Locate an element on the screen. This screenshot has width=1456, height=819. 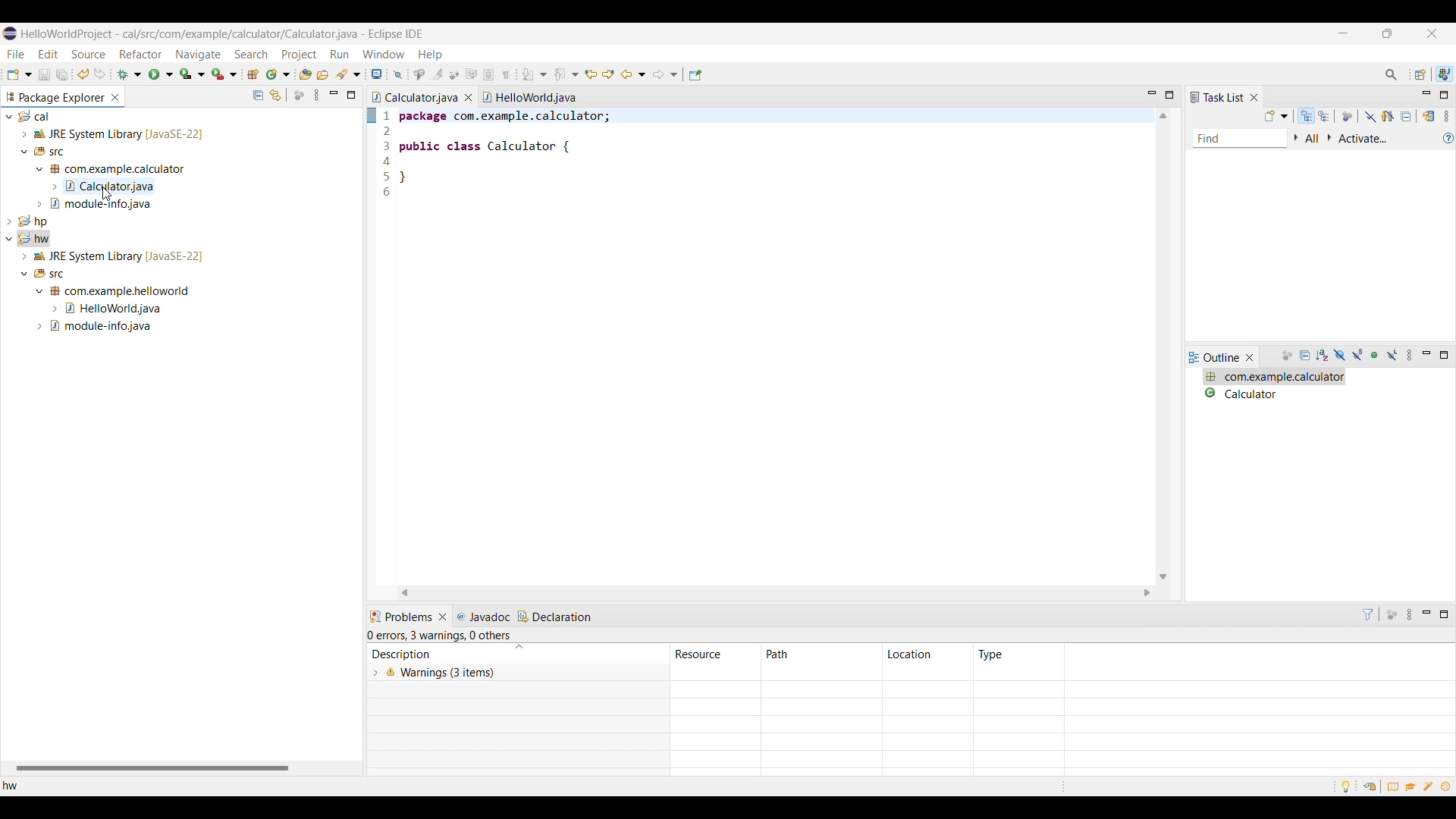
Previous annotation options is located at coordinates (566, 74).